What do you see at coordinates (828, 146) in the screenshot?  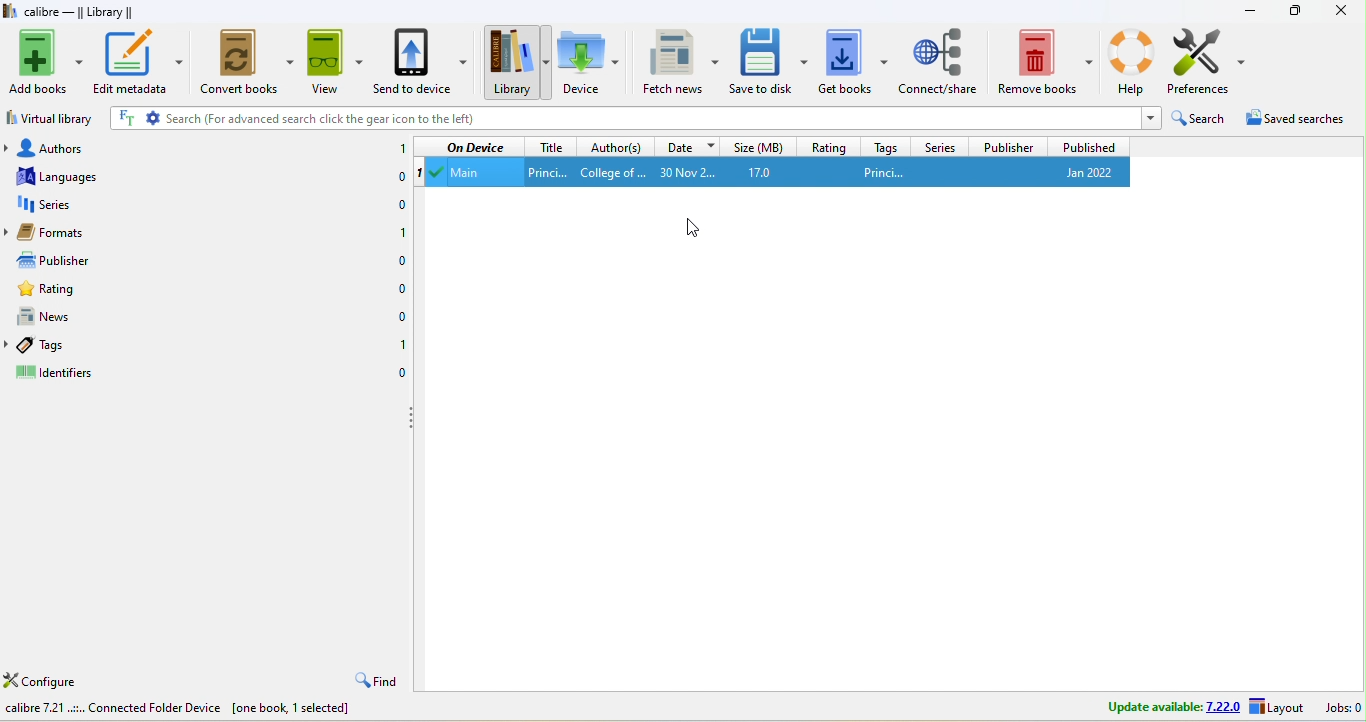 I see `rating` at bounding box center [828, 146].